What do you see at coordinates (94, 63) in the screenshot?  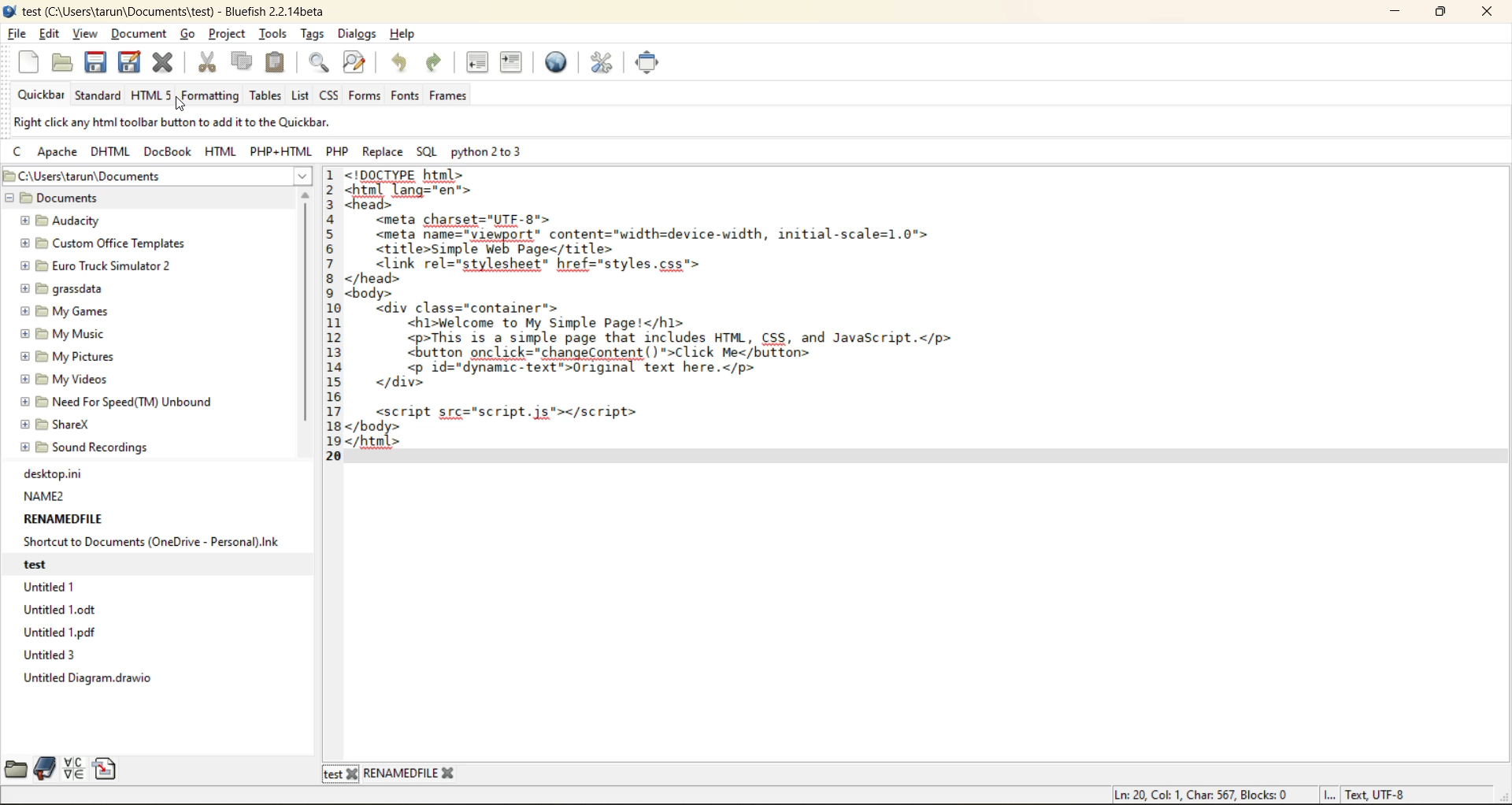 I see `save` at bounding box center [94, 63].